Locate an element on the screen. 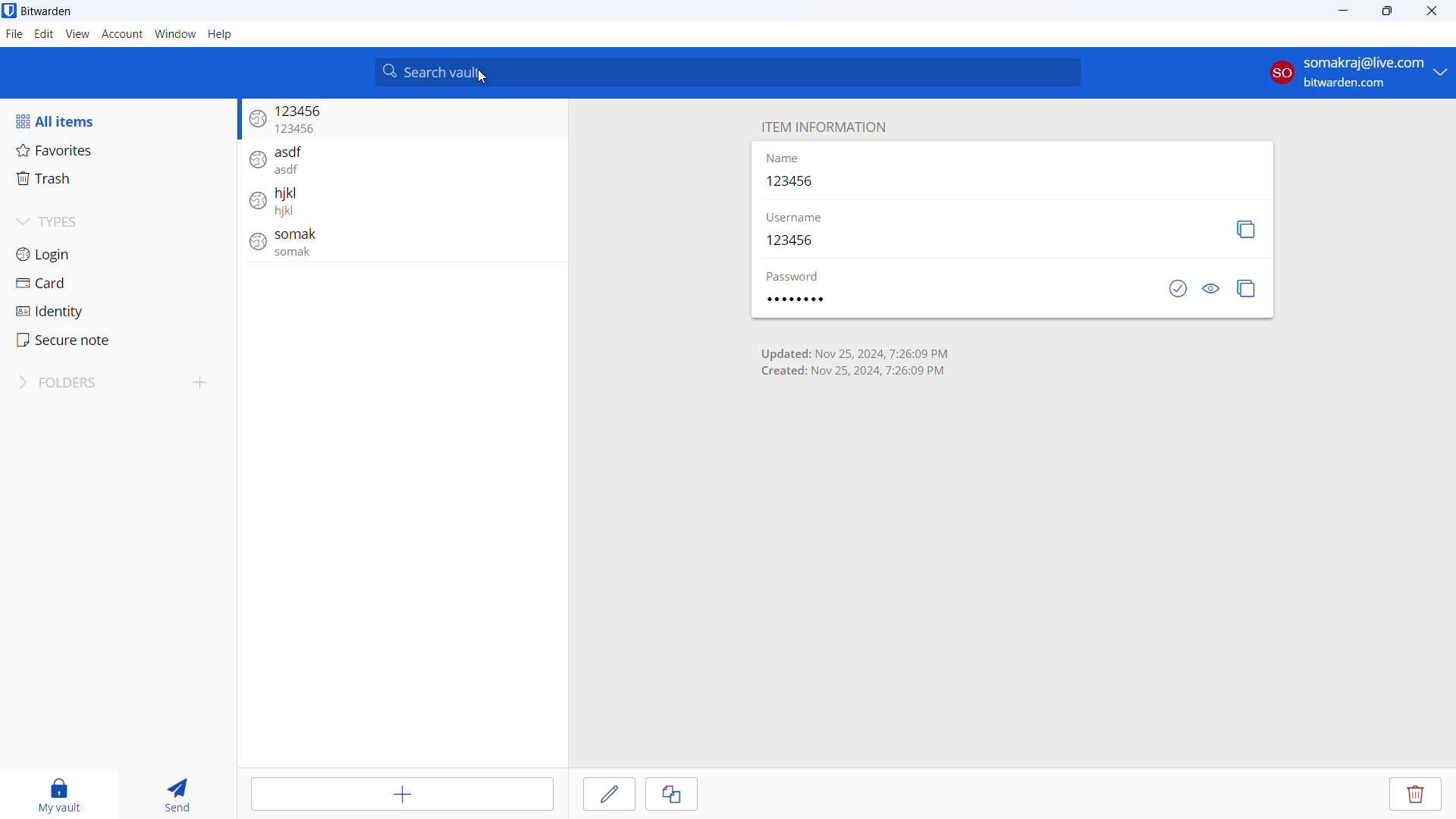 This screenshot has height=819, width=1456. send is located at coordinates (175, 792).